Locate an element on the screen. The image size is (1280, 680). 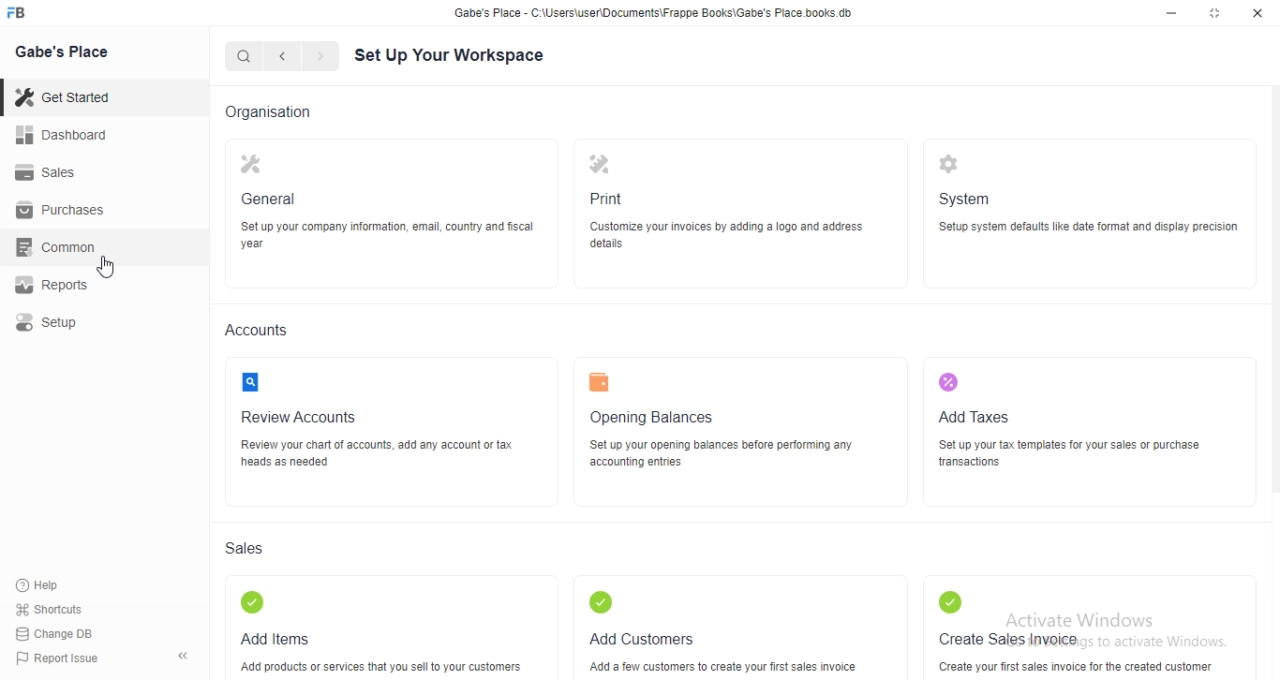
Change DB is located at coordinates (60, 633).